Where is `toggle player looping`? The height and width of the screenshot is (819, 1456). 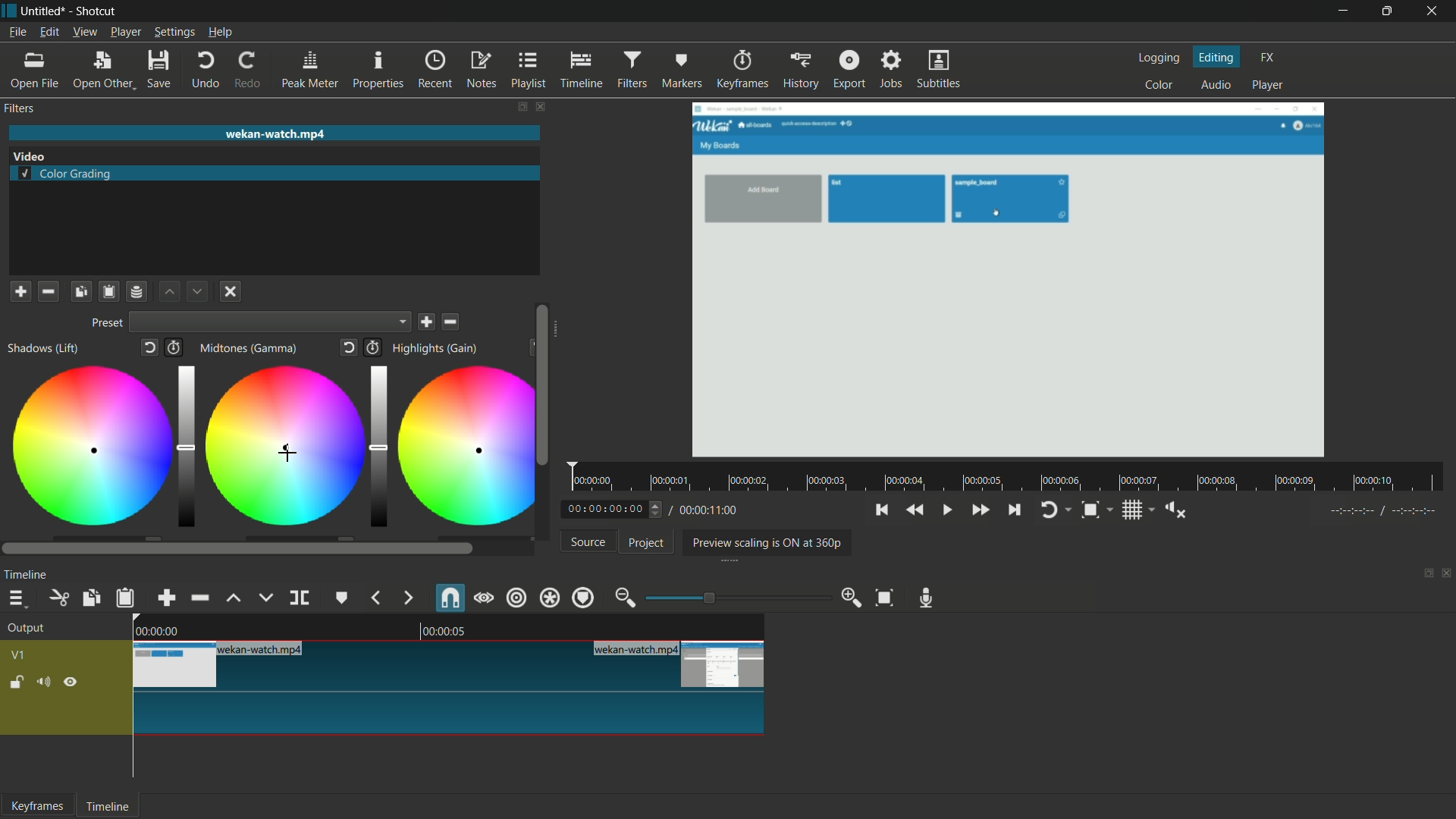
toggle player looping is located at coordinates (1054, 510).